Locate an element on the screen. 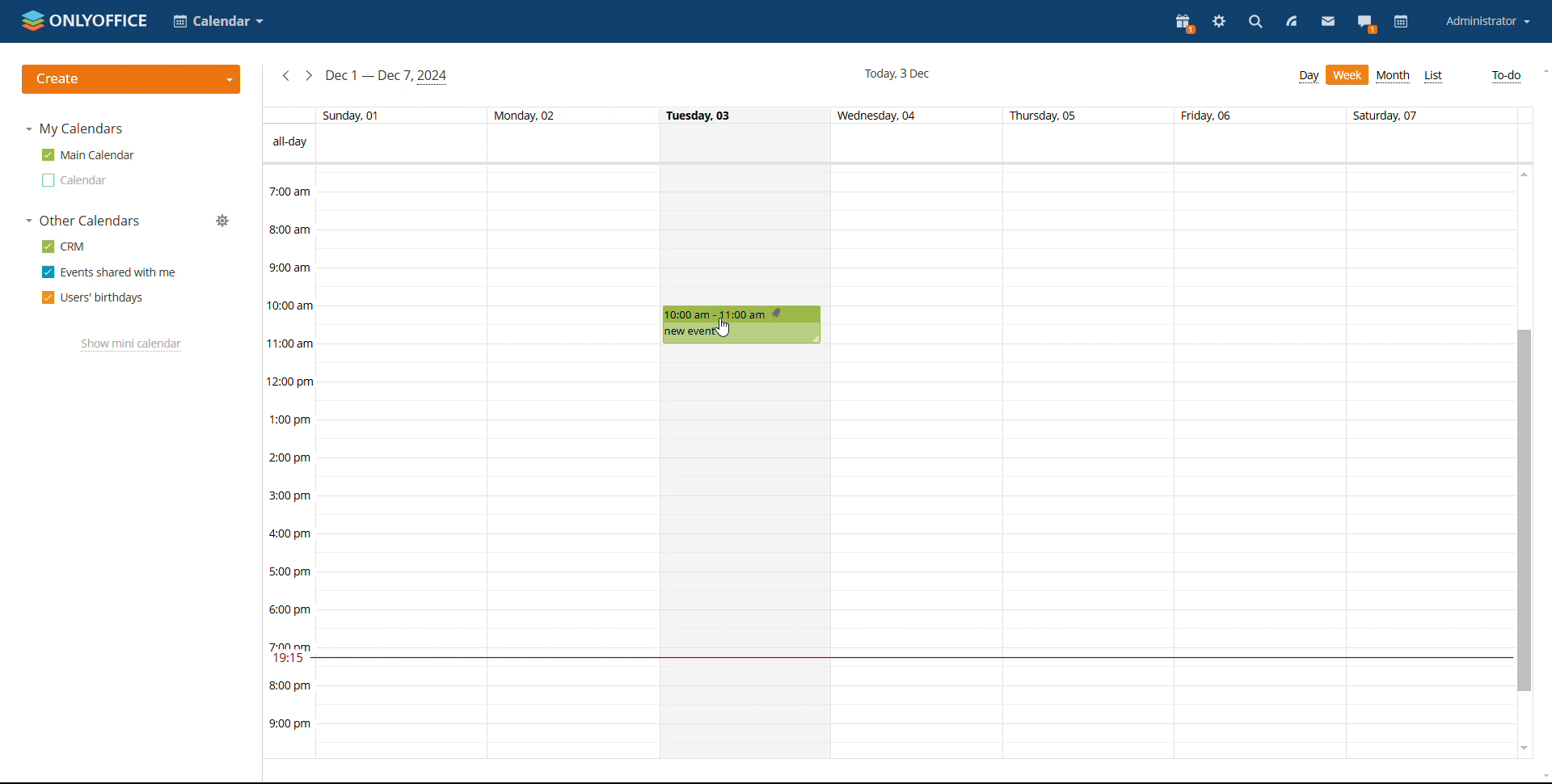  feed is located at coordinates (1292, 23).